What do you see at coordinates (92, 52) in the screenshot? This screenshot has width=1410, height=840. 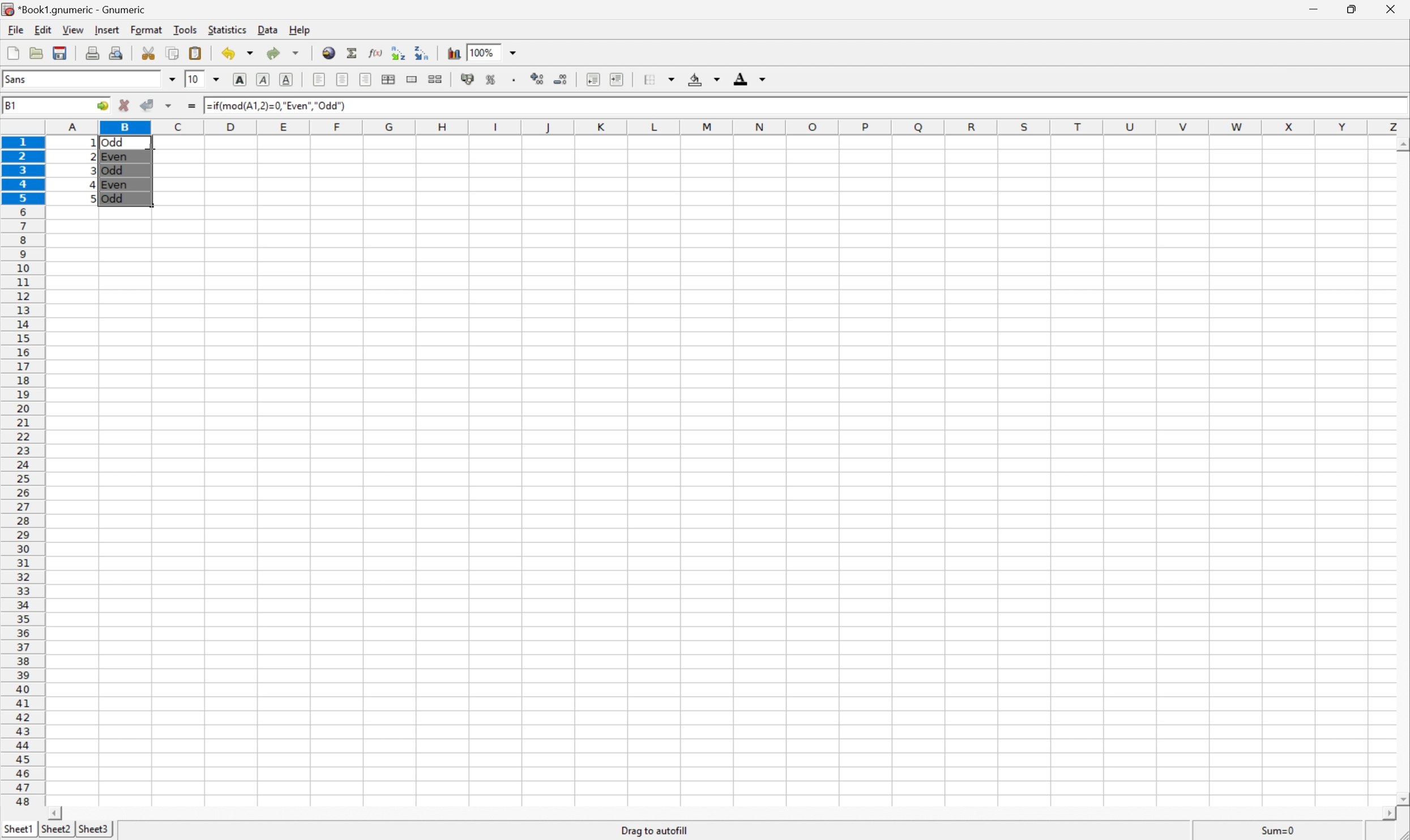 I see `Print current file` at bounding box center [92, 52].